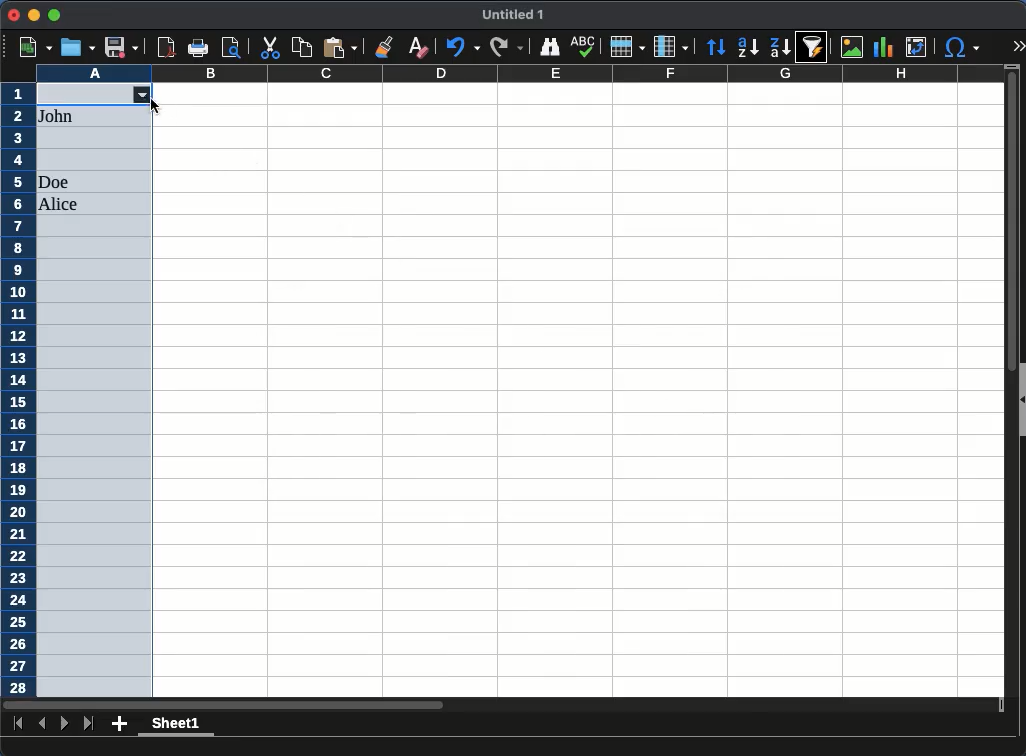  What do you see at coordinates (505, 48) in the screenshot?
I see `redo` at bounding box center [505, 48].